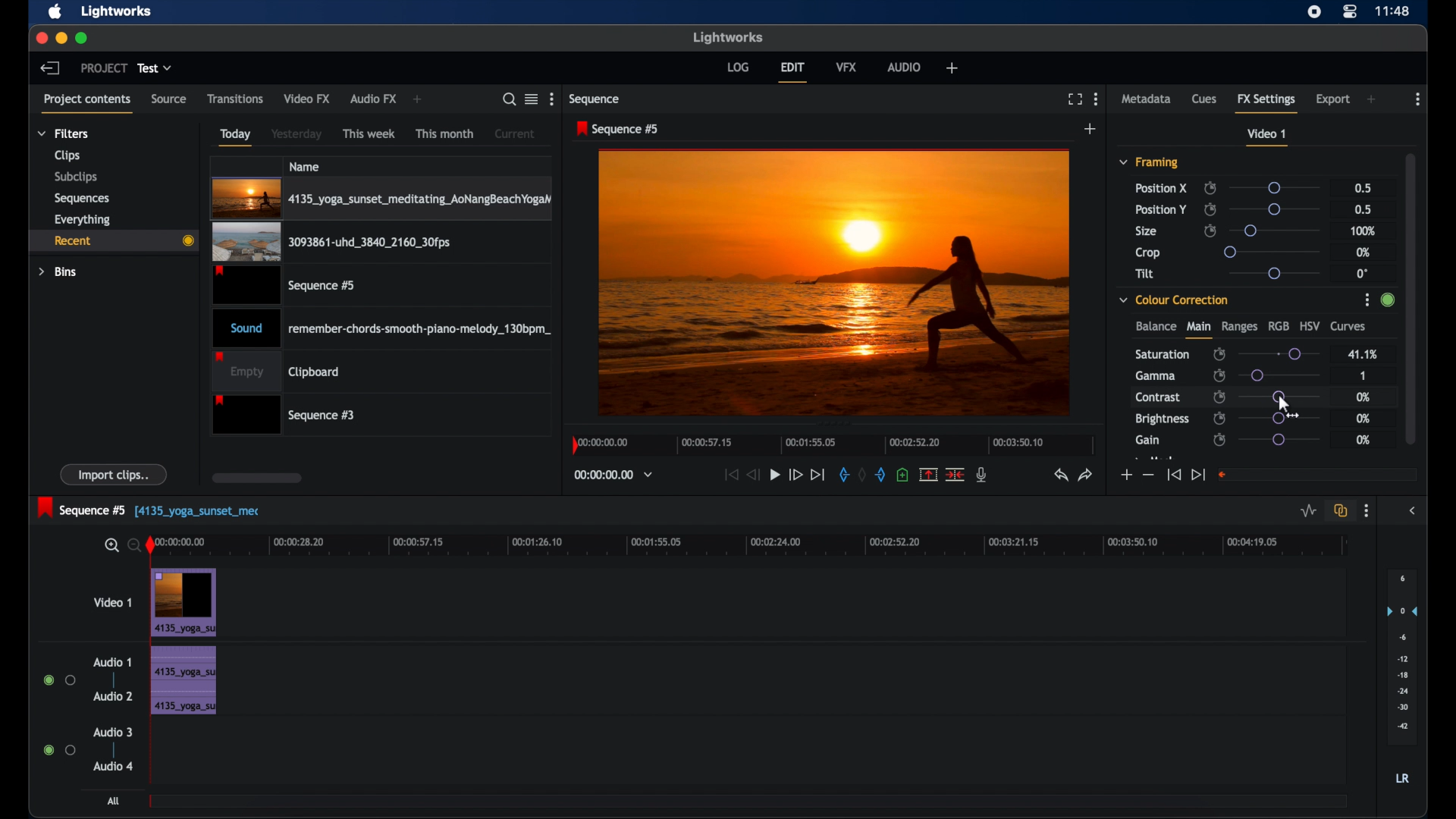 The width and height of the screenshot is (1456, 819). What do you see at coordinates (1315, 11) in the screenshot?
I see `screen recorder` at bounding box center [1315, 11].